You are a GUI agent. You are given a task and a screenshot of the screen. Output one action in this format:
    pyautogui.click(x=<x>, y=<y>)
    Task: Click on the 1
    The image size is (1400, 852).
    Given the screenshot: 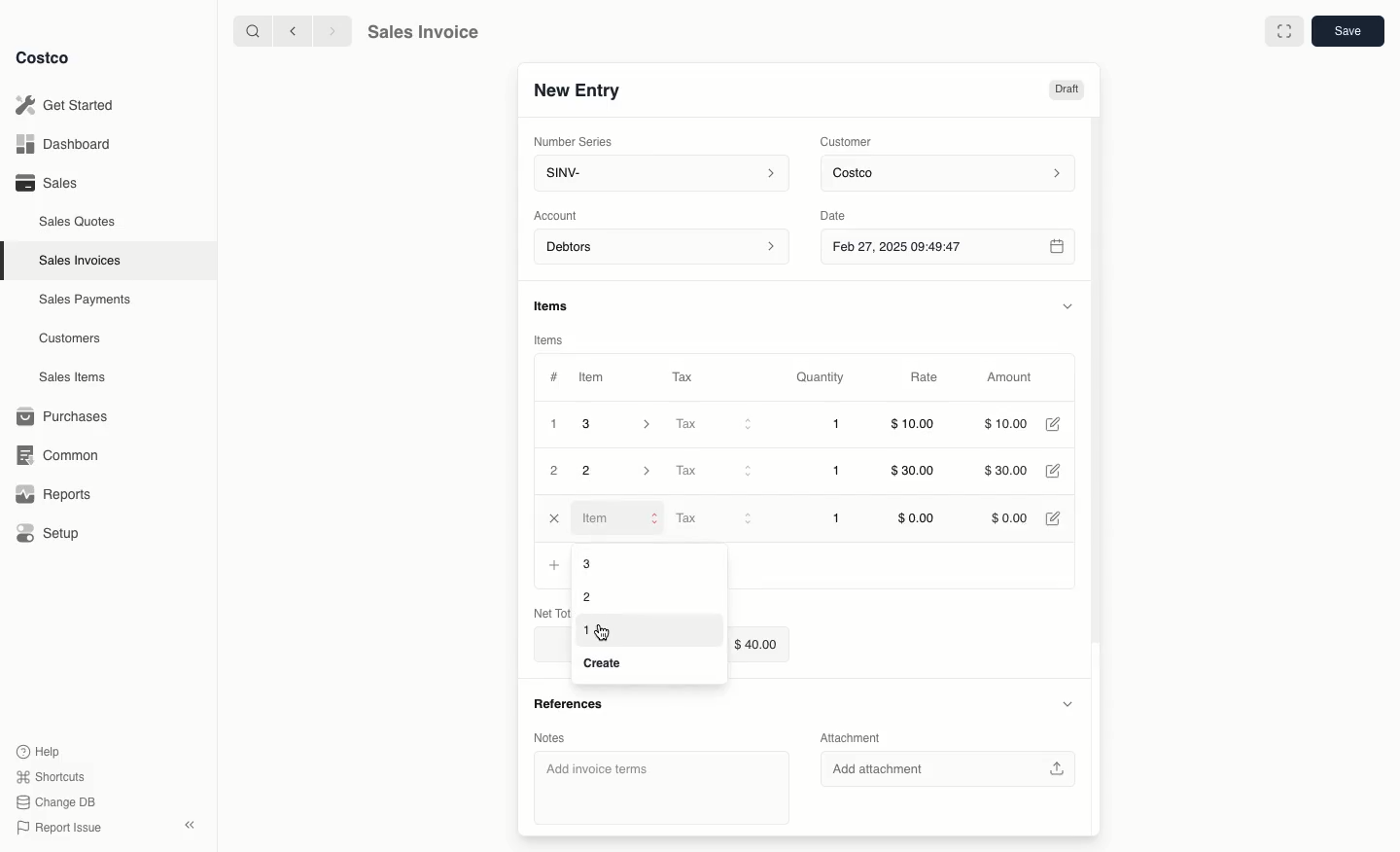 What is the action you would take?
    pyautogui.click(x=587, y=629)
    